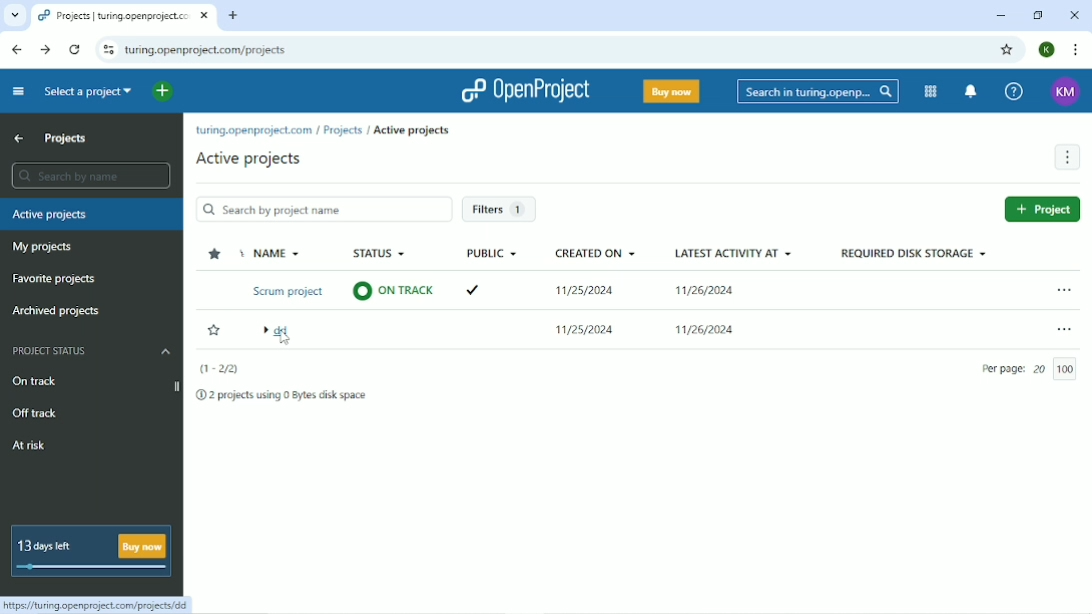 The height and width of the screenshot is (614, 1092). What do you see at coordinates (19, 92) in the screenshot?
I see `Collapse project menu` at bounding box center [19, 92].